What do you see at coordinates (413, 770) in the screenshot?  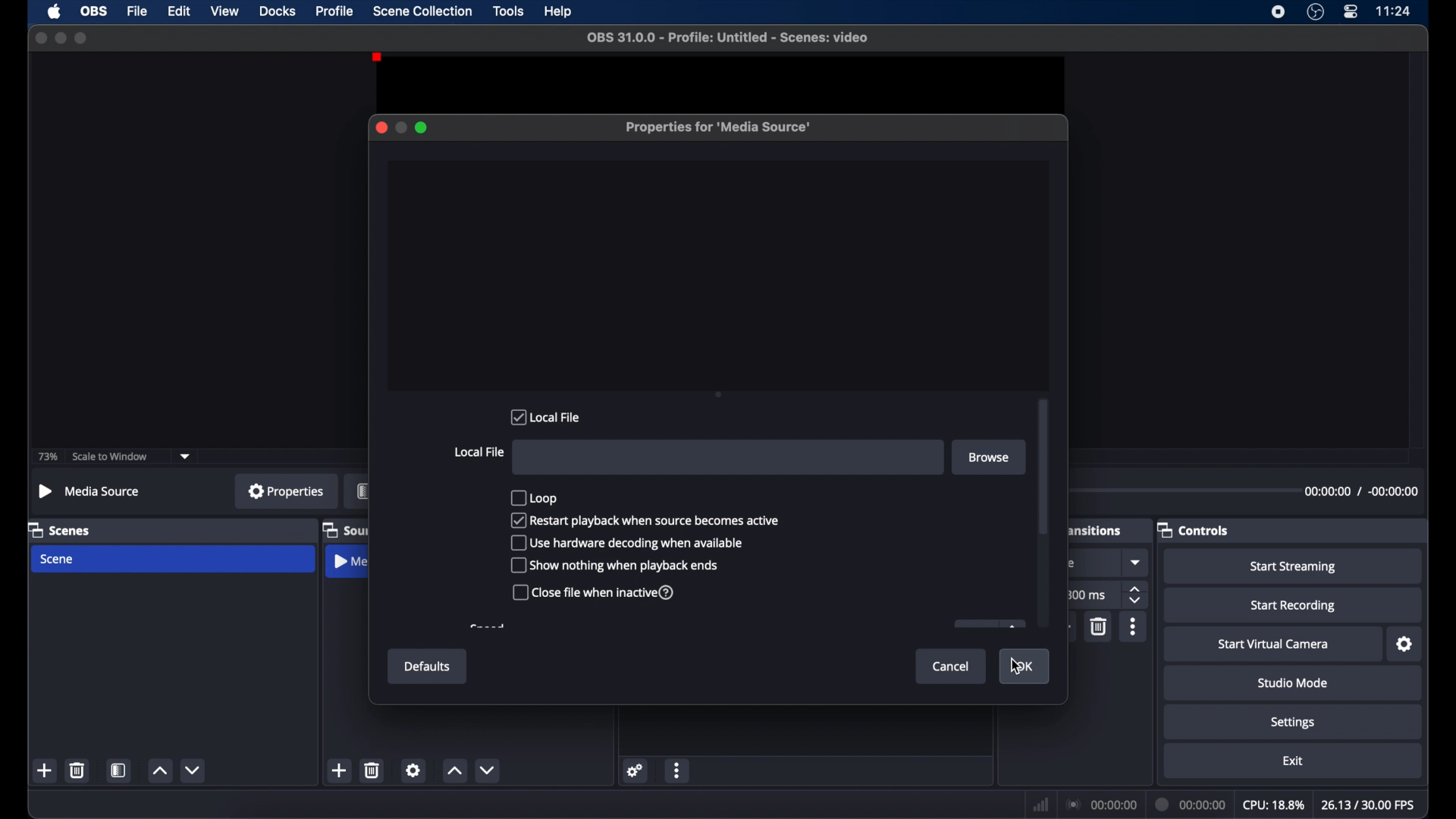 I see `settings` at bounding box center [413, 770].